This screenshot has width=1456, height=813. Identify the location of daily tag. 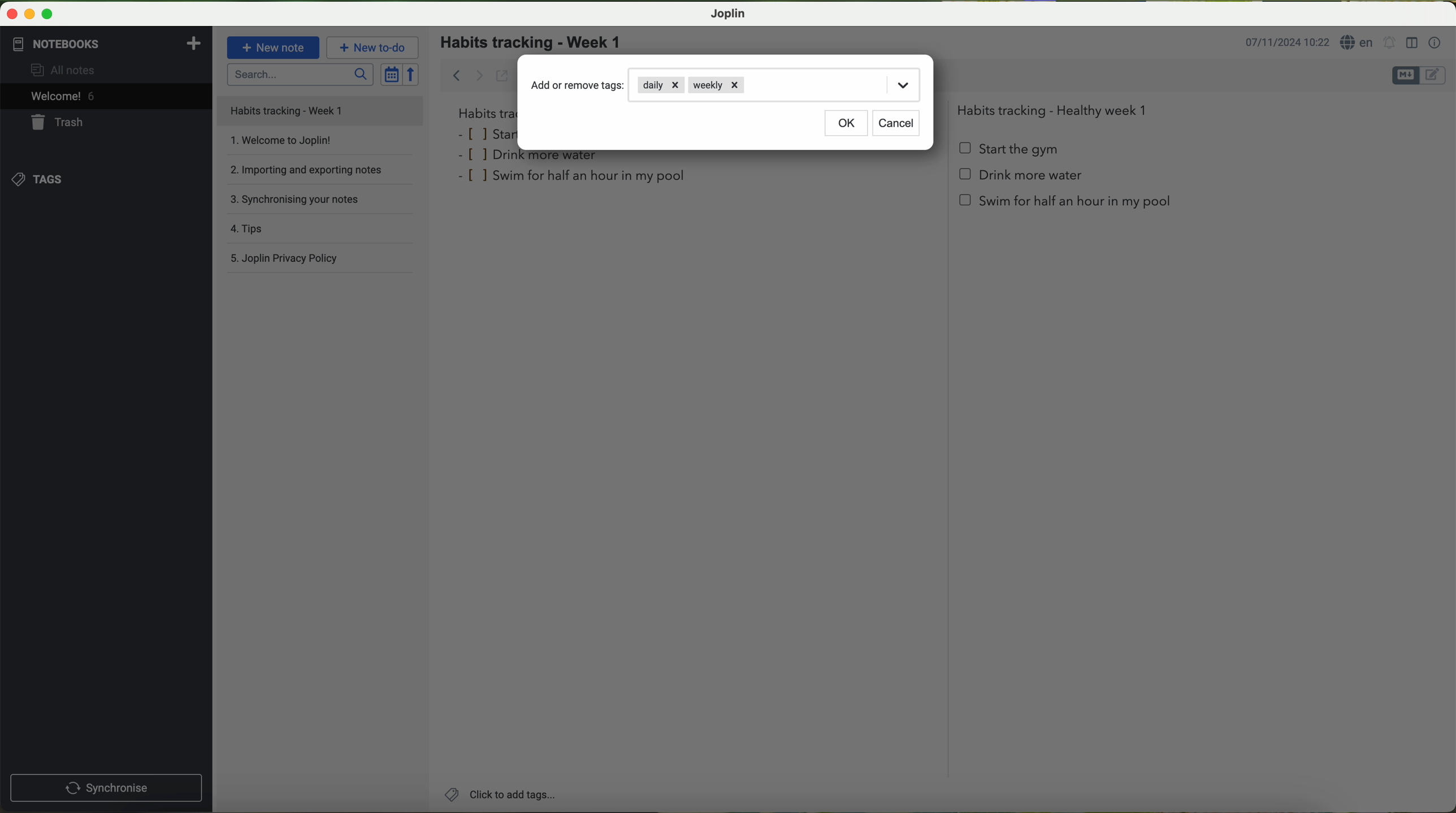
(661, 84).